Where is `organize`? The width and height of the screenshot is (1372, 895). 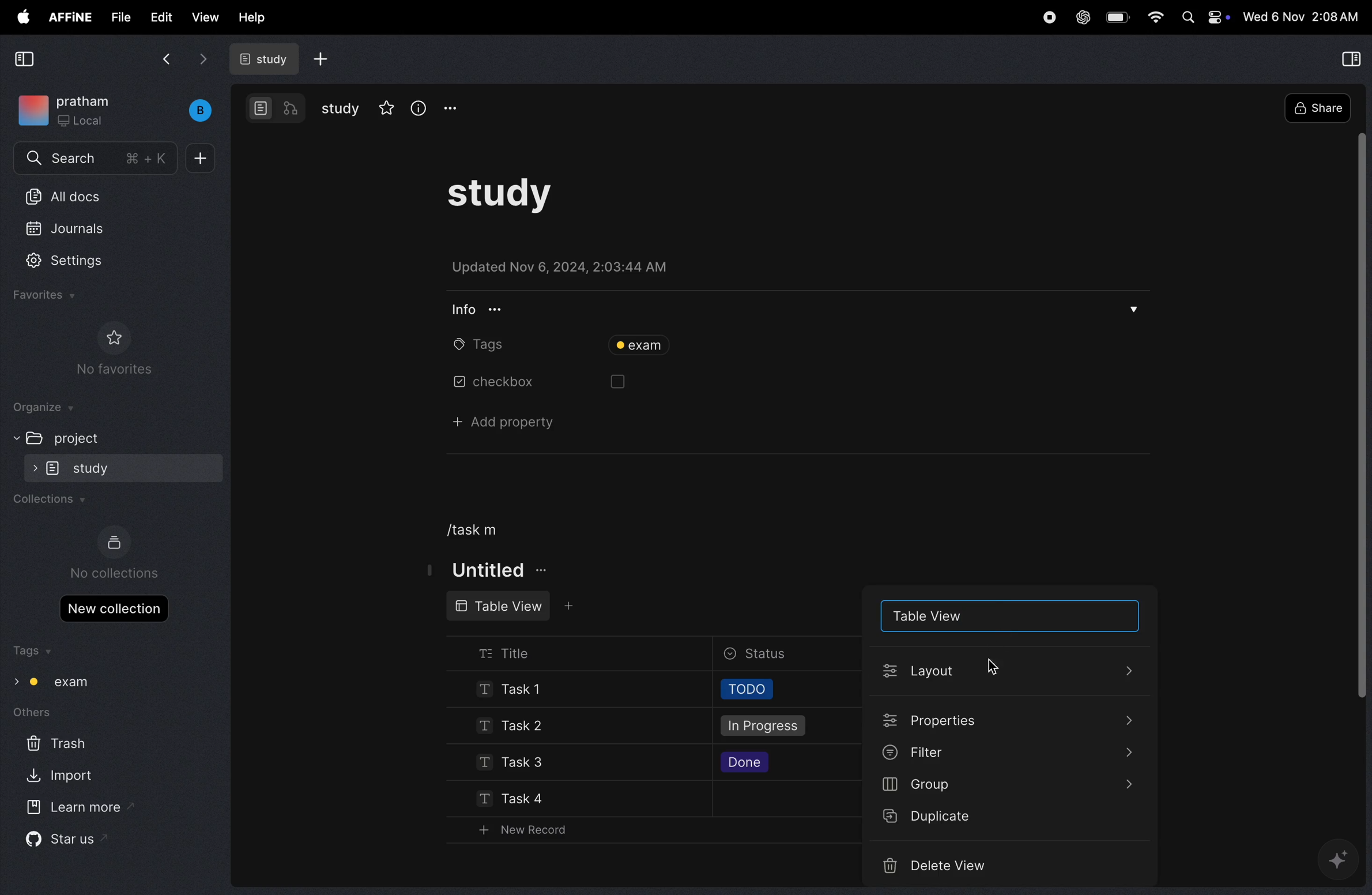 organize is located at coordinates (47, 407).